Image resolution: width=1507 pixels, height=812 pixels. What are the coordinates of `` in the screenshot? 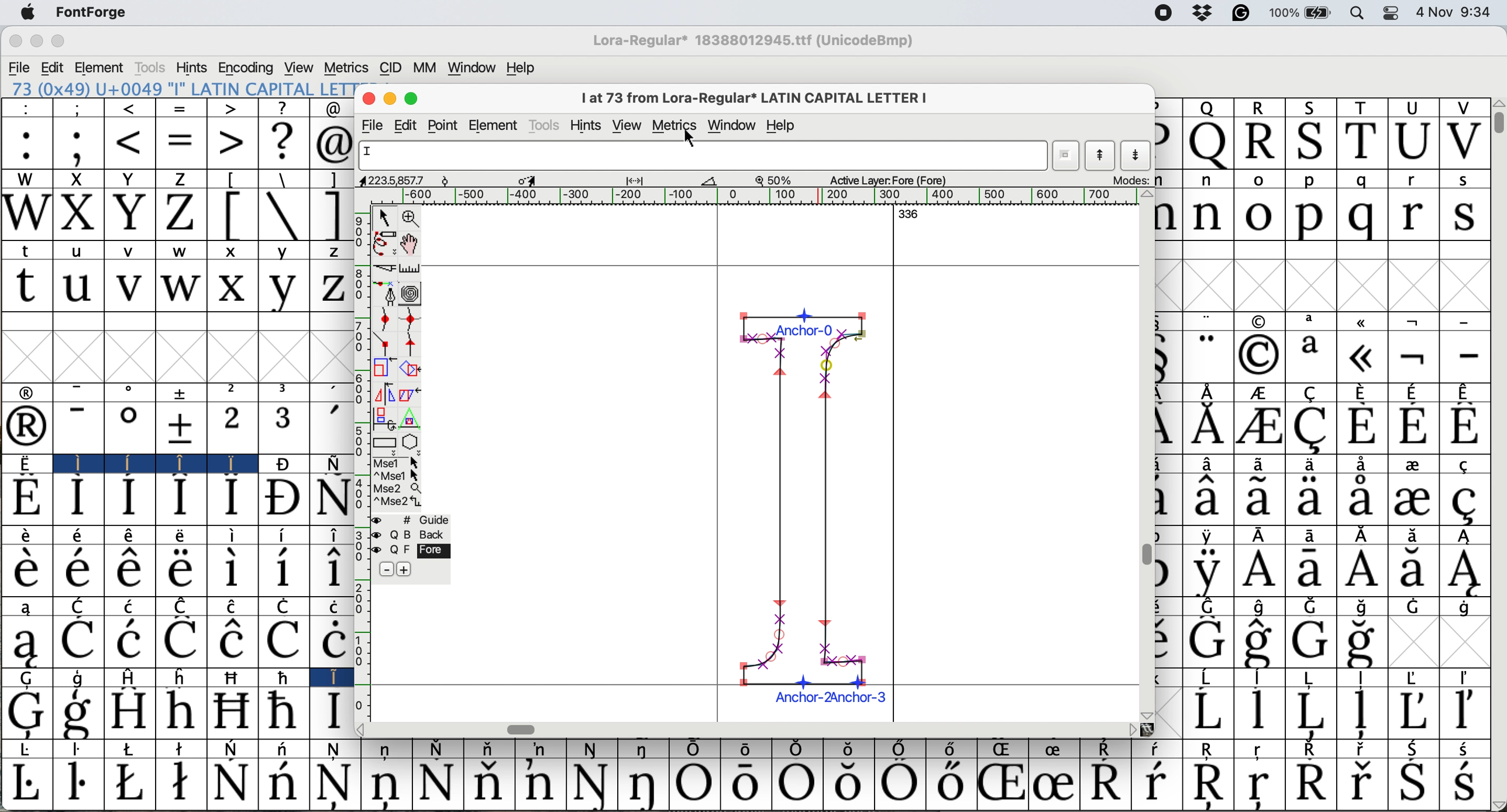 It's located at (1498, 804).